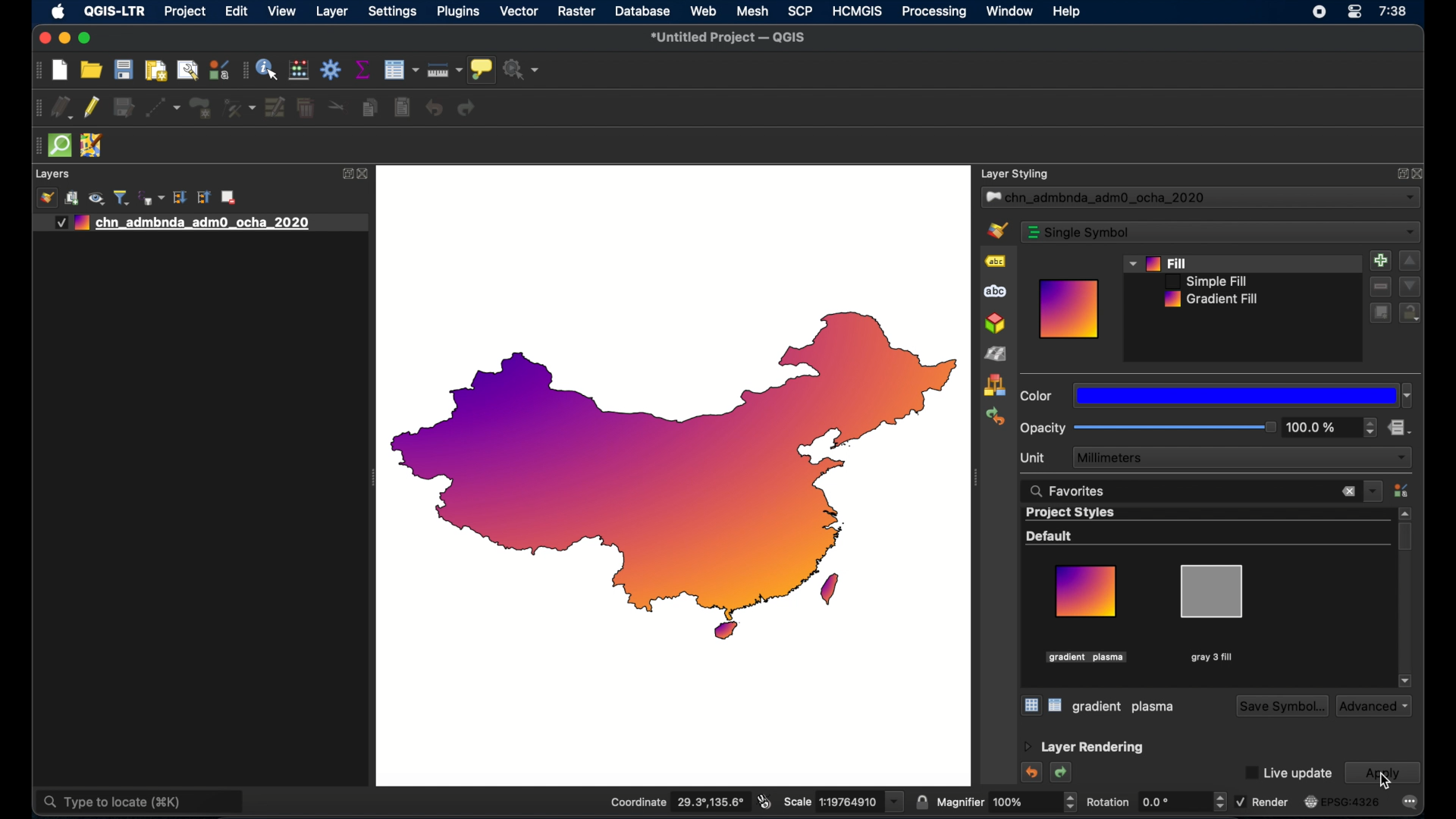  Describe the element at coordinates (1382, 773) in the screenshot. I see `apply` at that location.